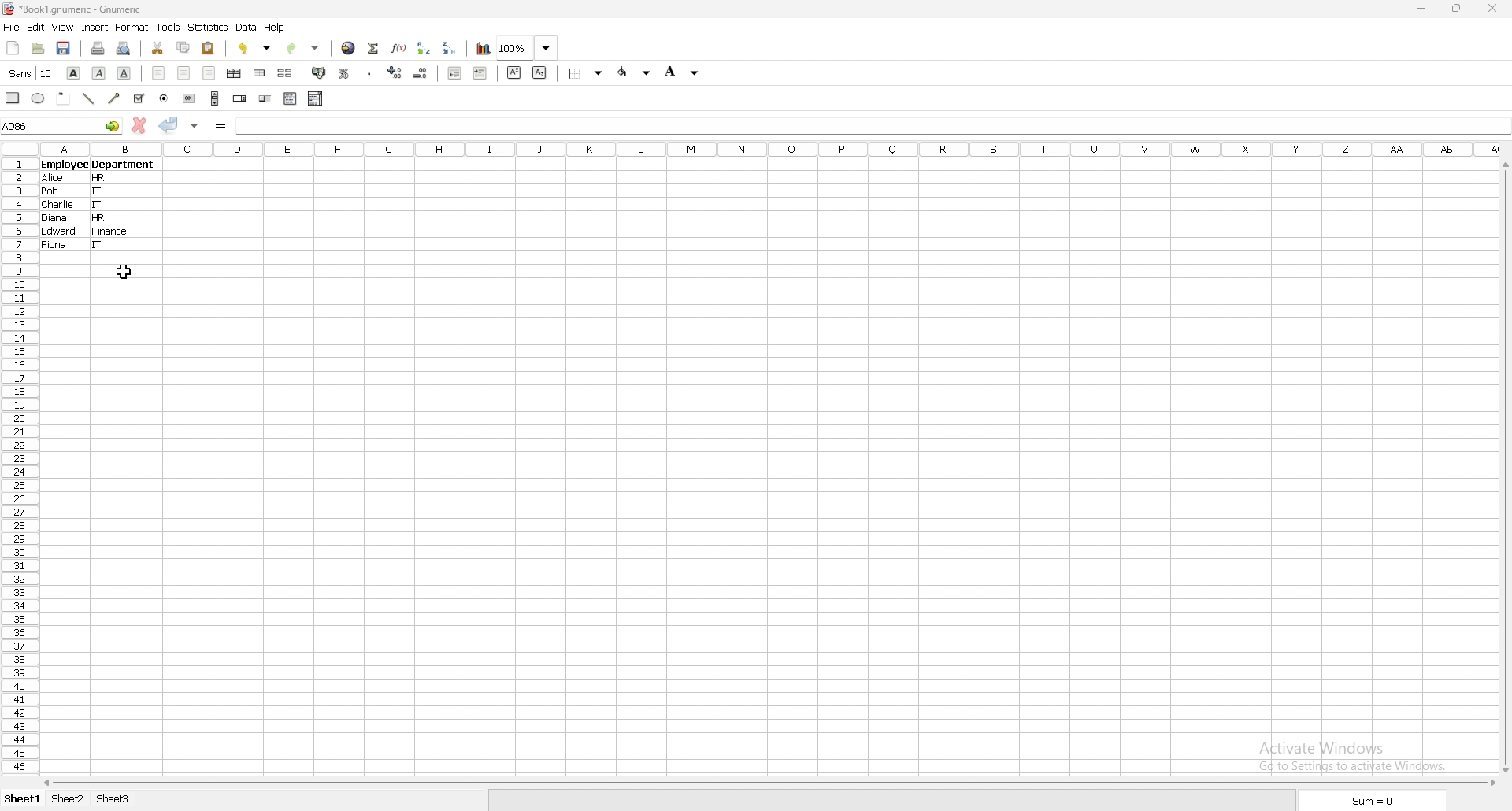  I want to click on split merged cells, so click(286, 72).